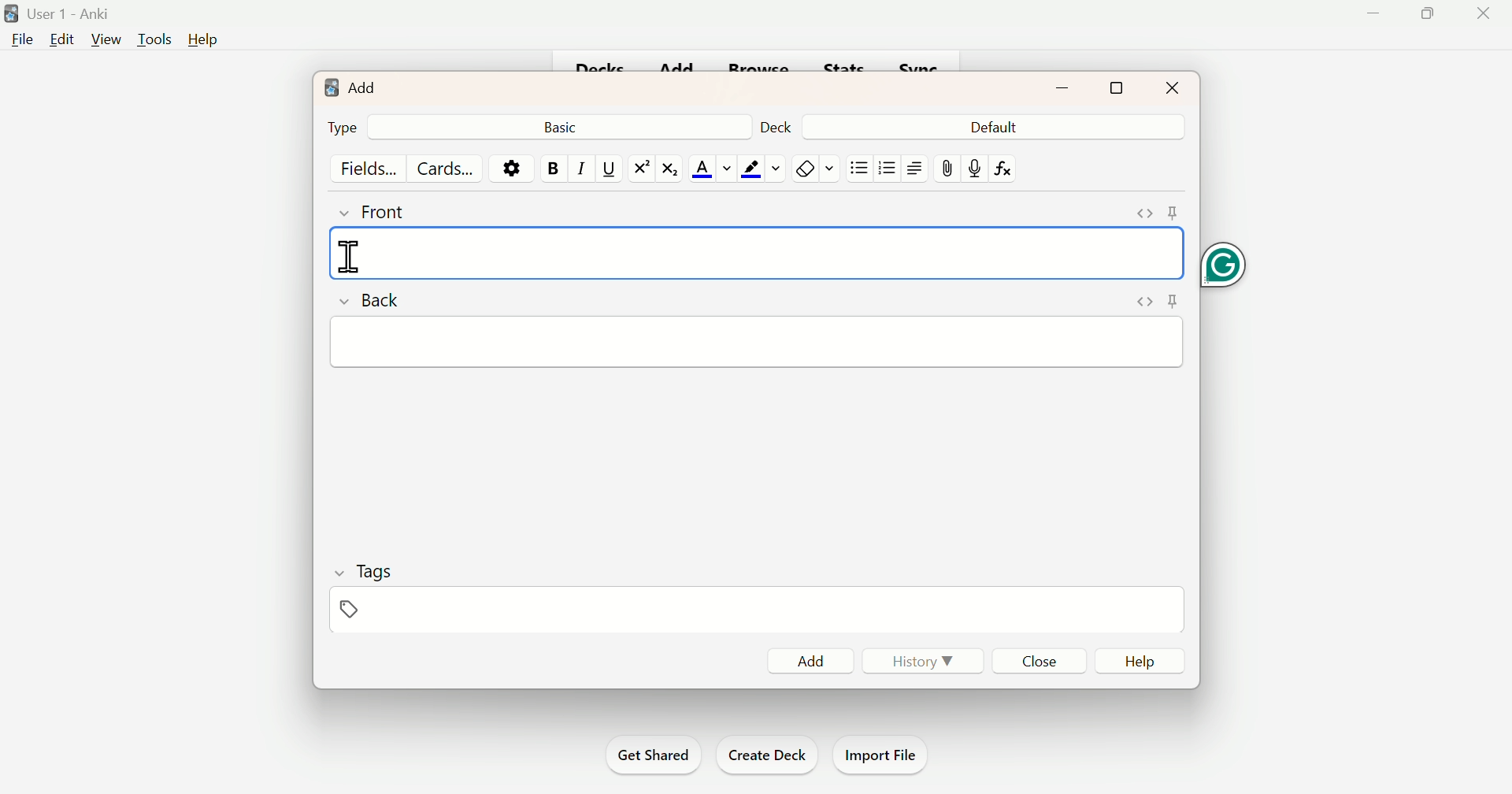 The width and height of the screenshot is (1512, 794). Describe the element at coordinates (886, 755) in the screenshot. I see `Import File` at that location.